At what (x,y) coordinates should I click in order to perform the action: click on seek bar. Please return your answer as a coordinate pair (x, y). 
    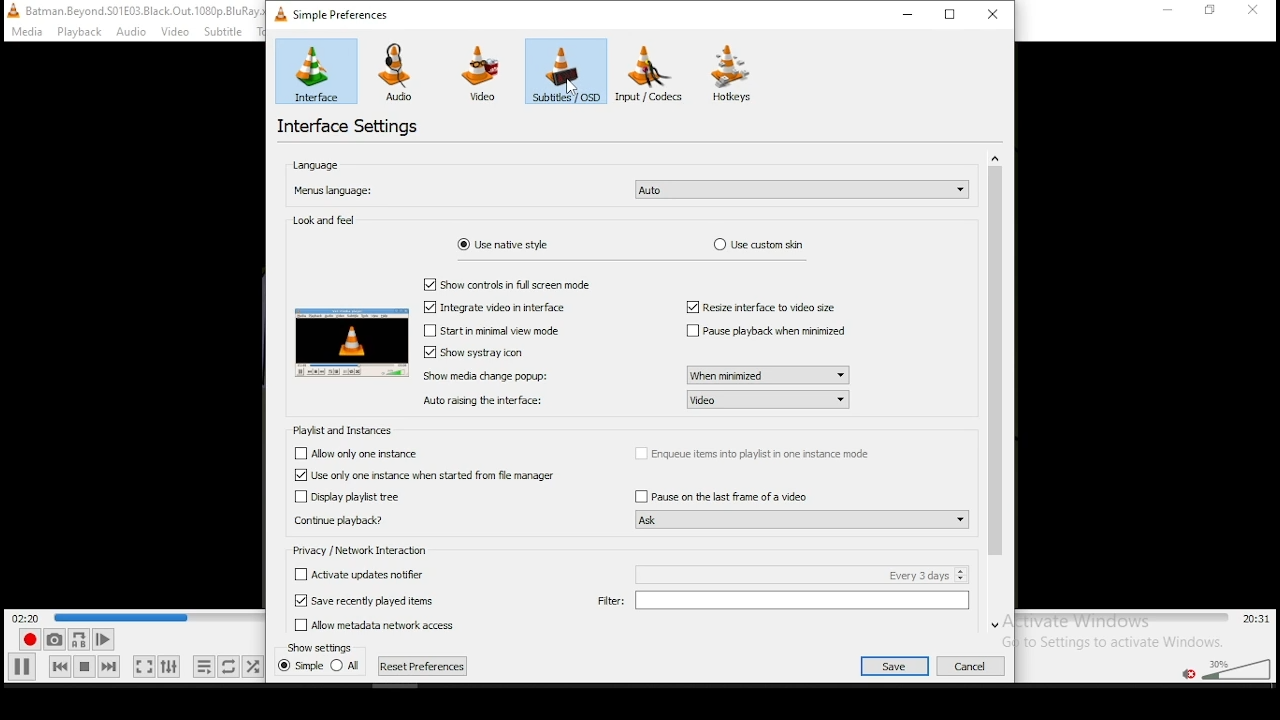
    Looking at the image, I should click on (1123, 618).